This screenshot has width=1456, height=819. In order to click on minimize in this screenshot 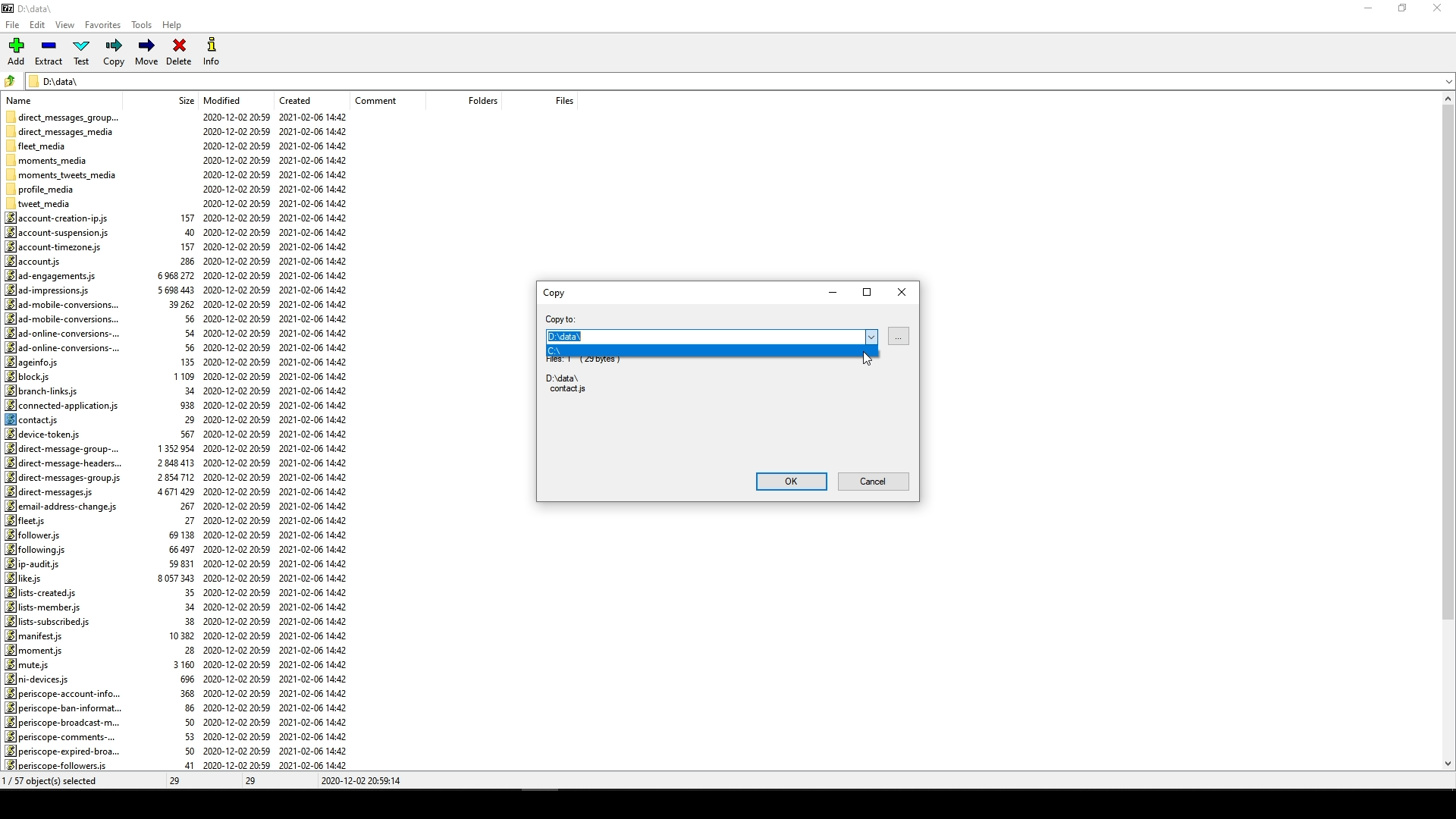, I will do `click(831, 291)`.